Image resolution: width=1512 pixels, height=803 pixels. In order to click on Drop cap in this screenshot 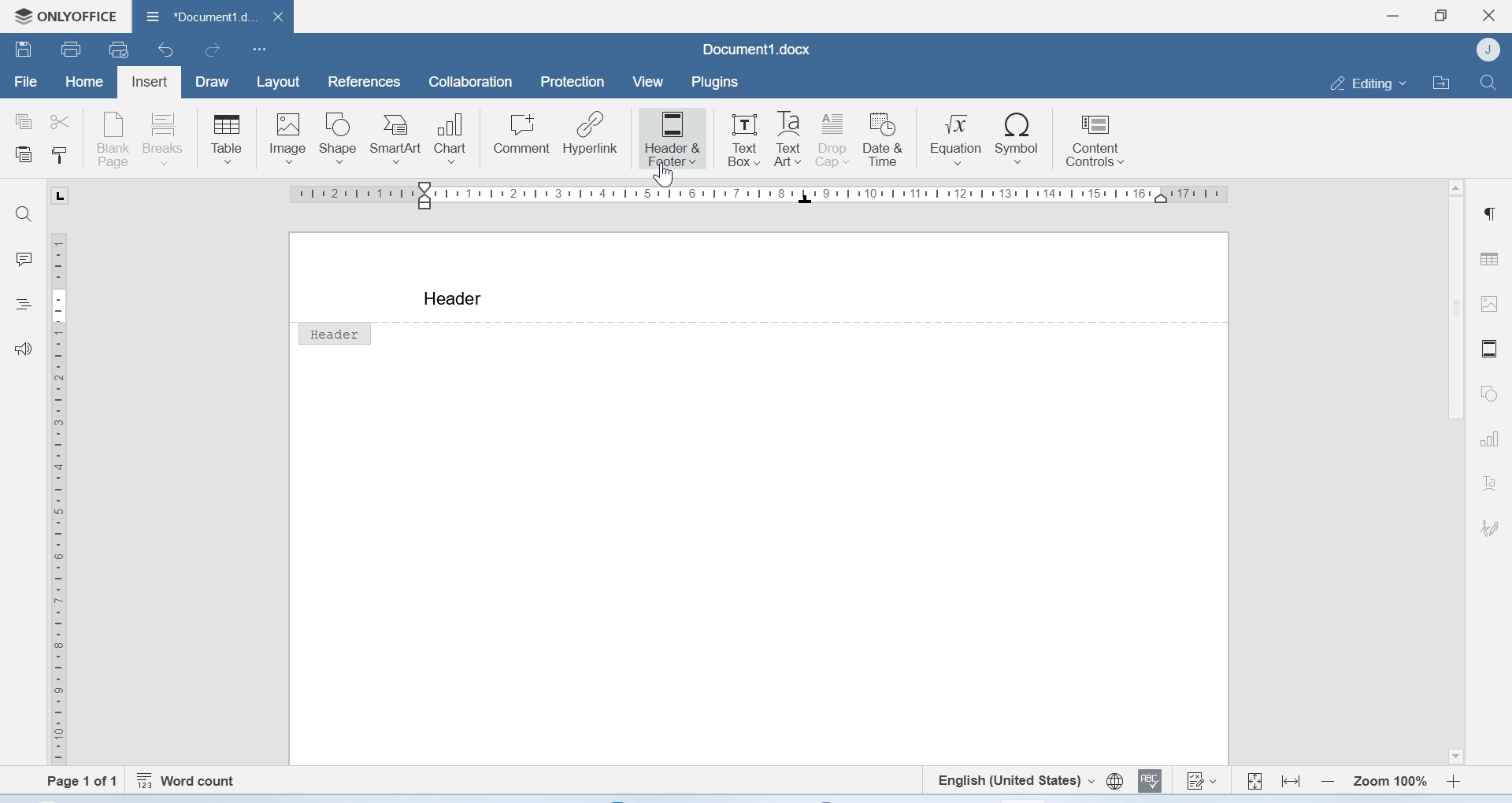, I will do `click(834, 139)`.